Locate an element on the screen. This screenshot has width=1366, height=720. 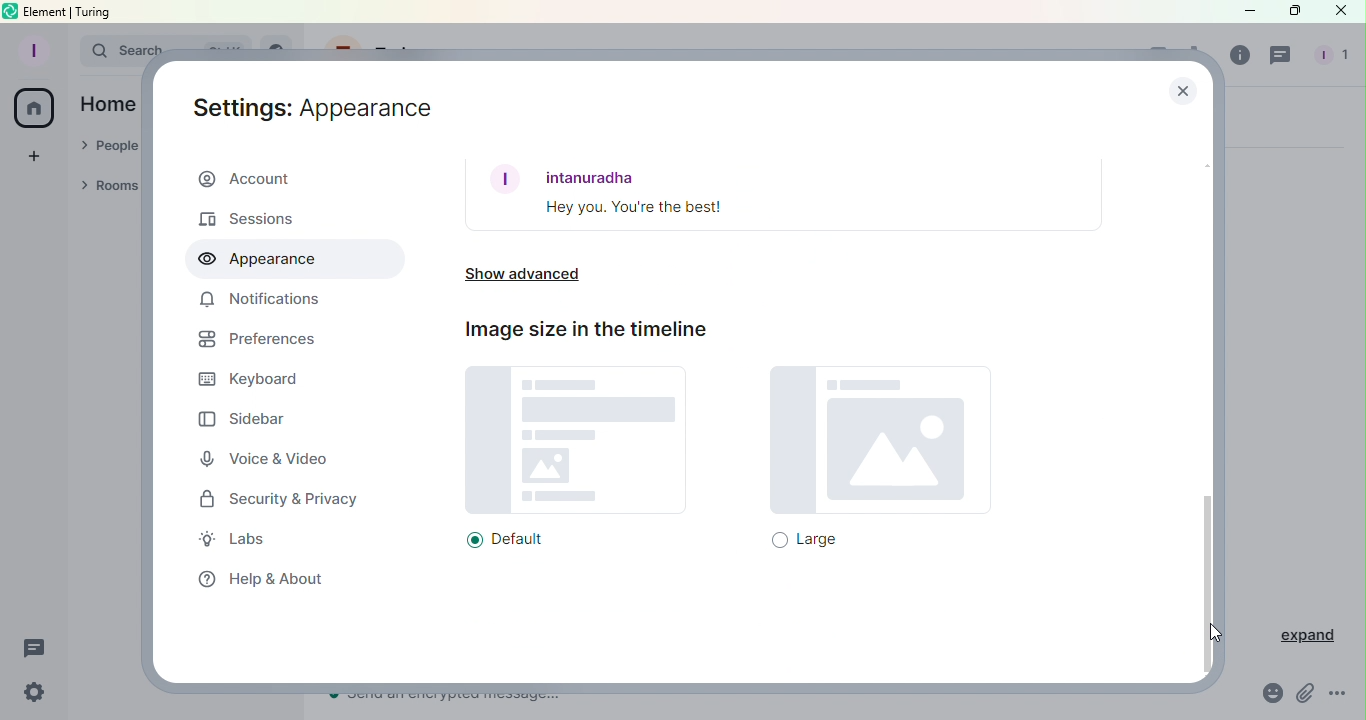
element is located at coordinates (47, 12).